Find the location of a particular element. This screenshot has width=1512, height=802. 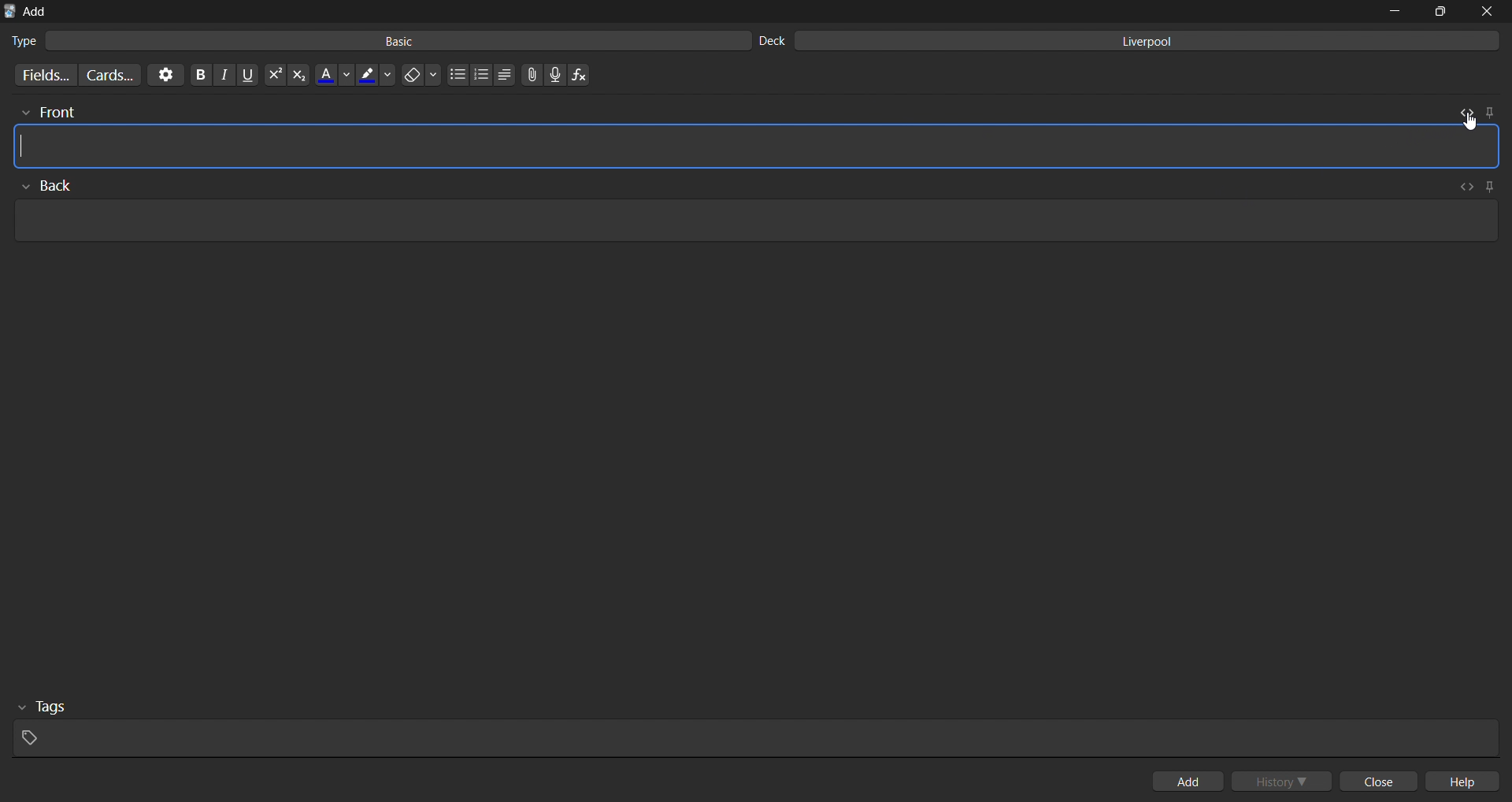

subscript is located at coordinates (298, 75).